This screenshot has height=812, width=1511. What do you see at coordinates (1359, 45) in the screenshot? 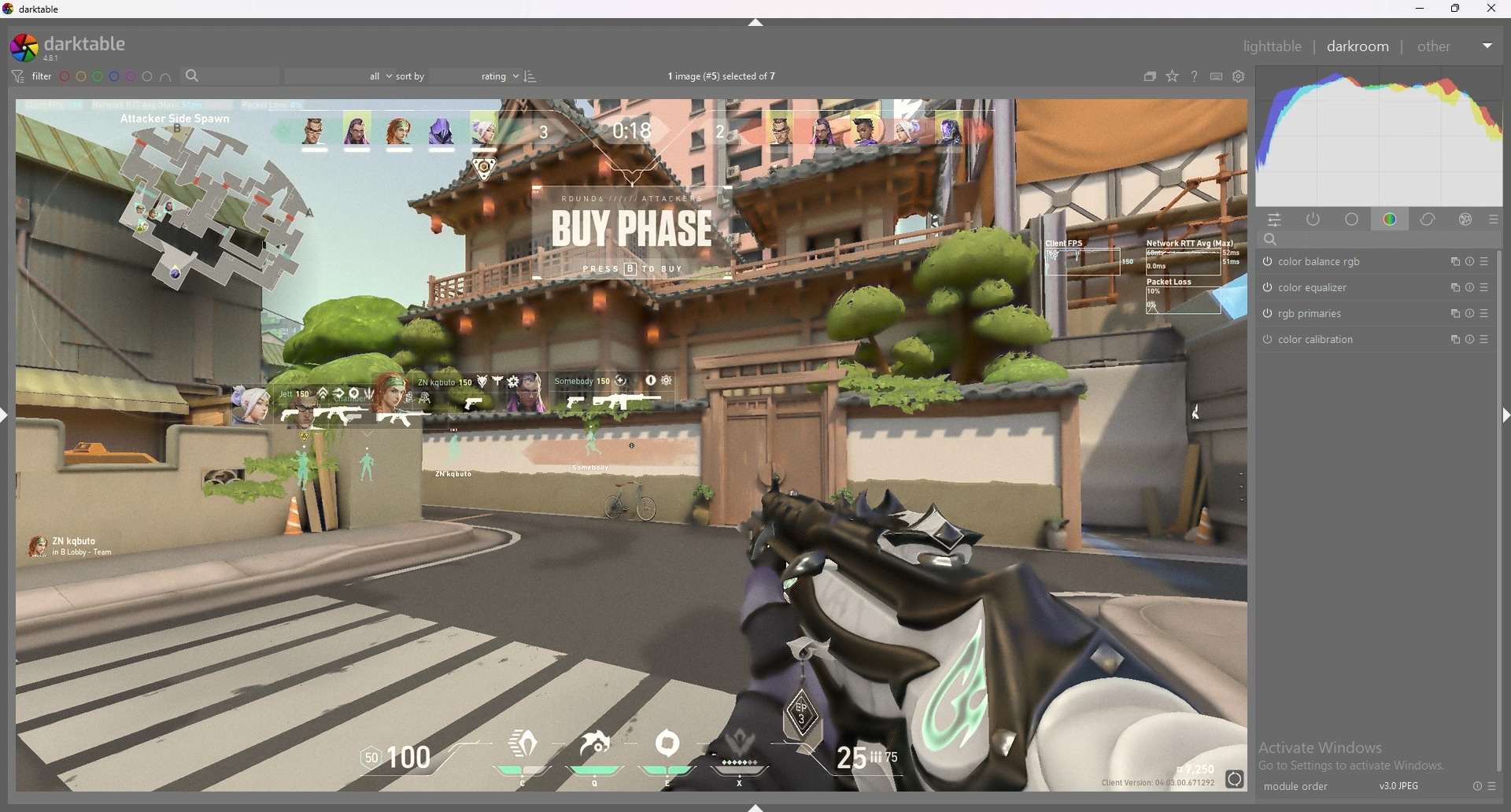
I see `darkroom` at bounding box center [1359, 45].